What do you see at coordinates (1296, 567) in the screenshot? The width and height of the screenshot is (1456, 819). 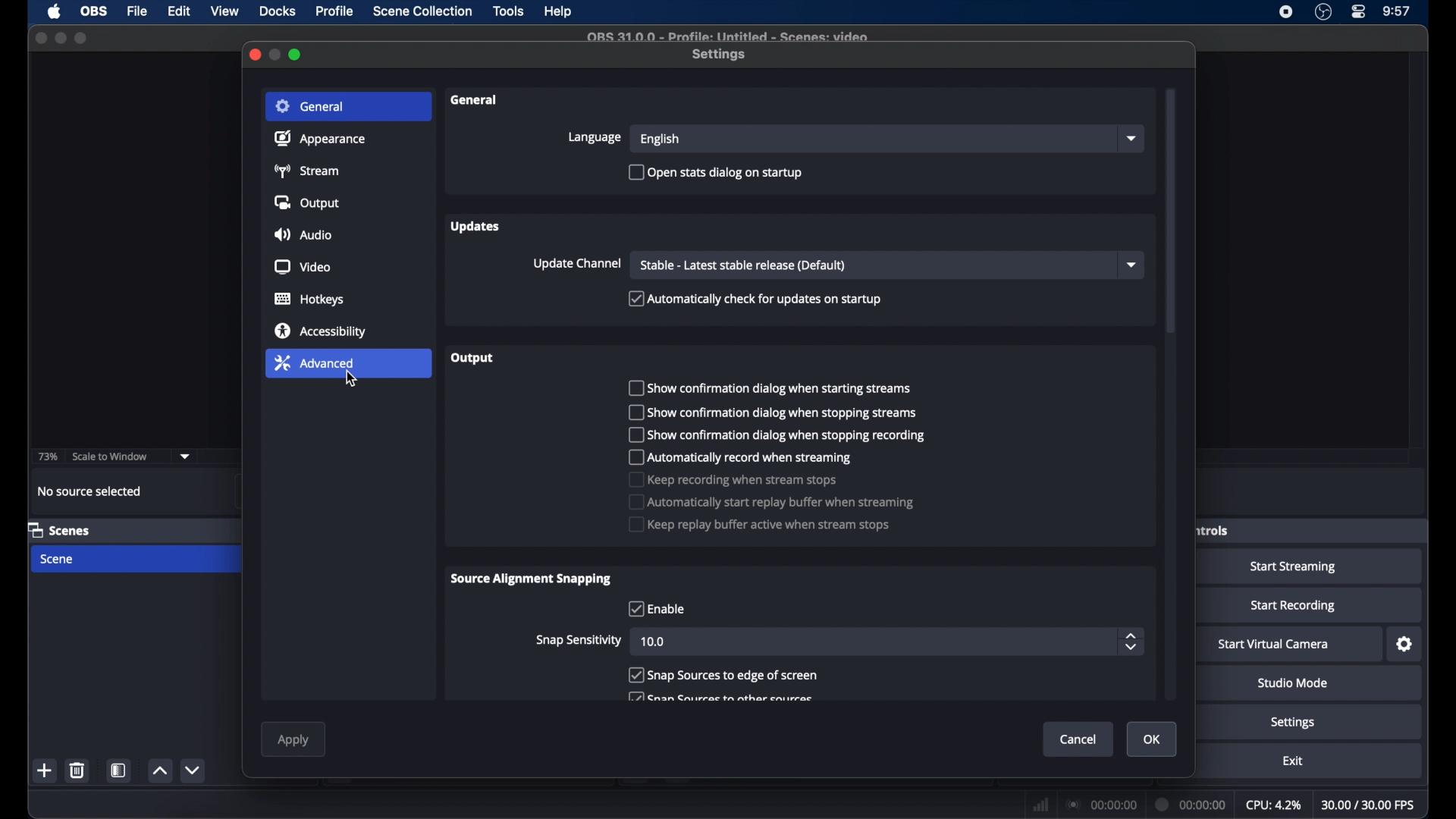 I see `start streaming` at bounding box center [1296, 567].